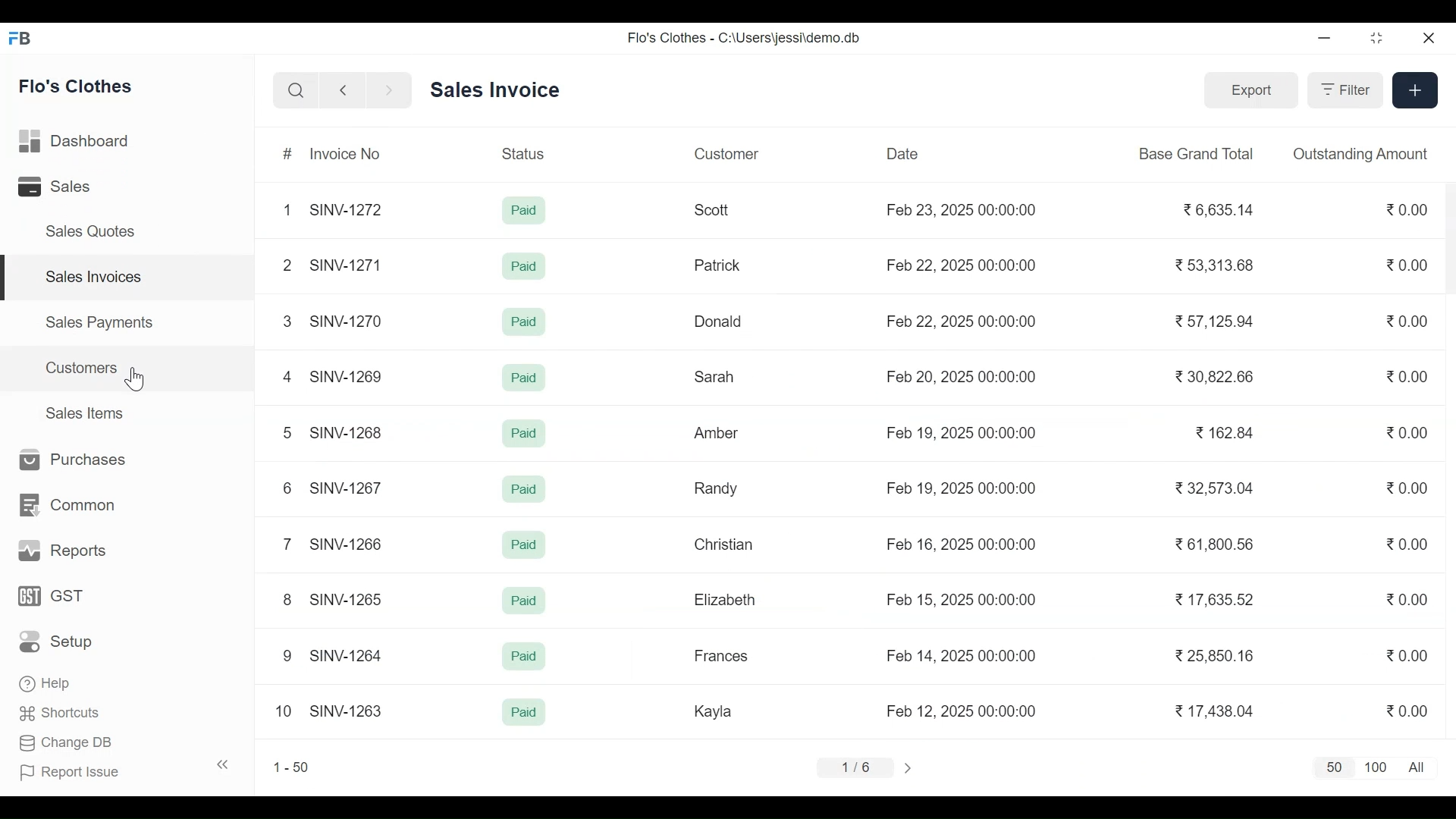 This screenshot has height=819, width=1456. What do you see at coordinates (287, 377) in the screenshot?
I see `4` at bounding box center [287, 377].